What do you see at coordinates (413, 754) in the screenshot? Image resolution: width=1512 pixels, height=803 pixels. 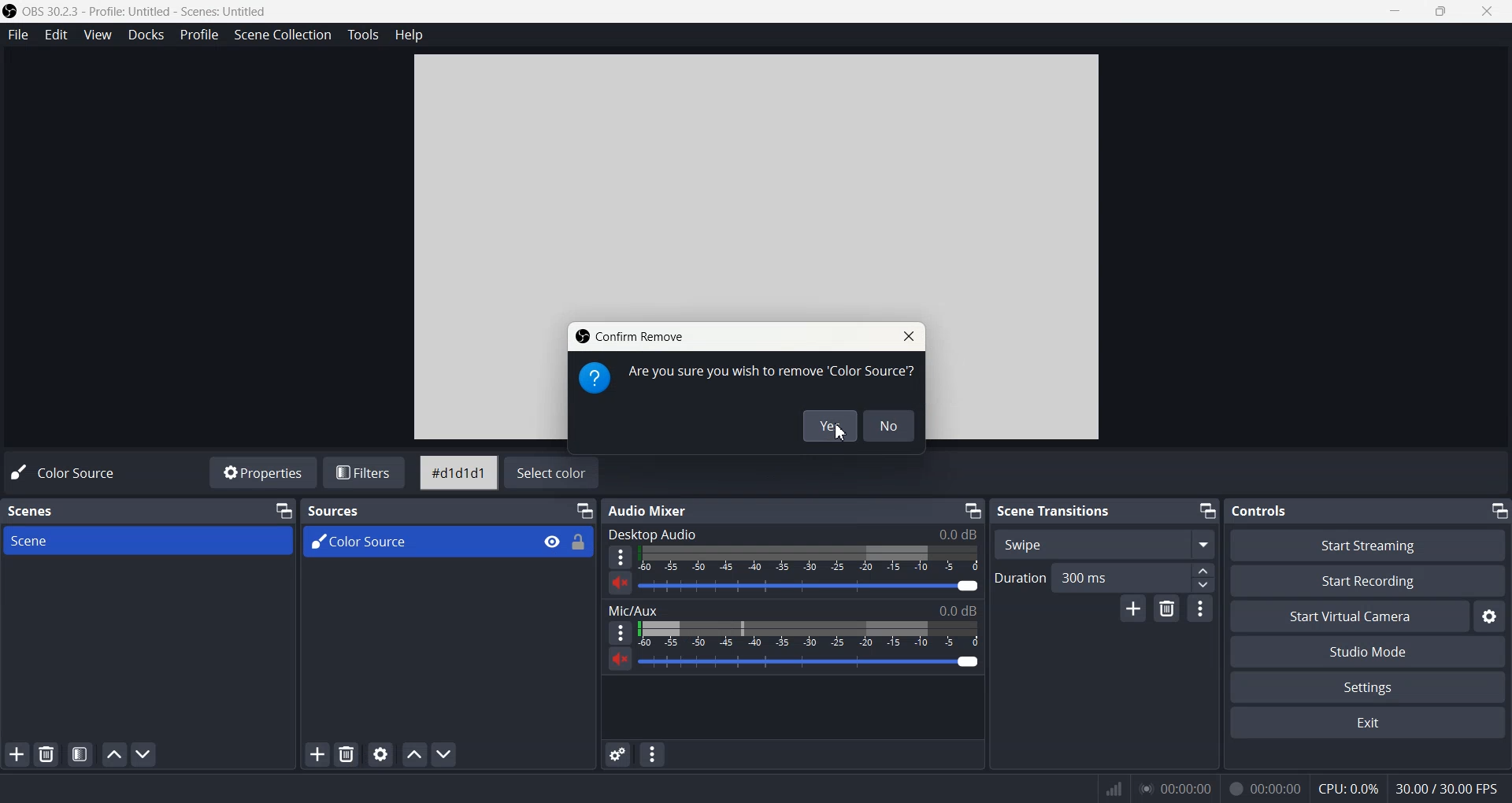 I see `Move Source Up` at bounding box center [413, 754].